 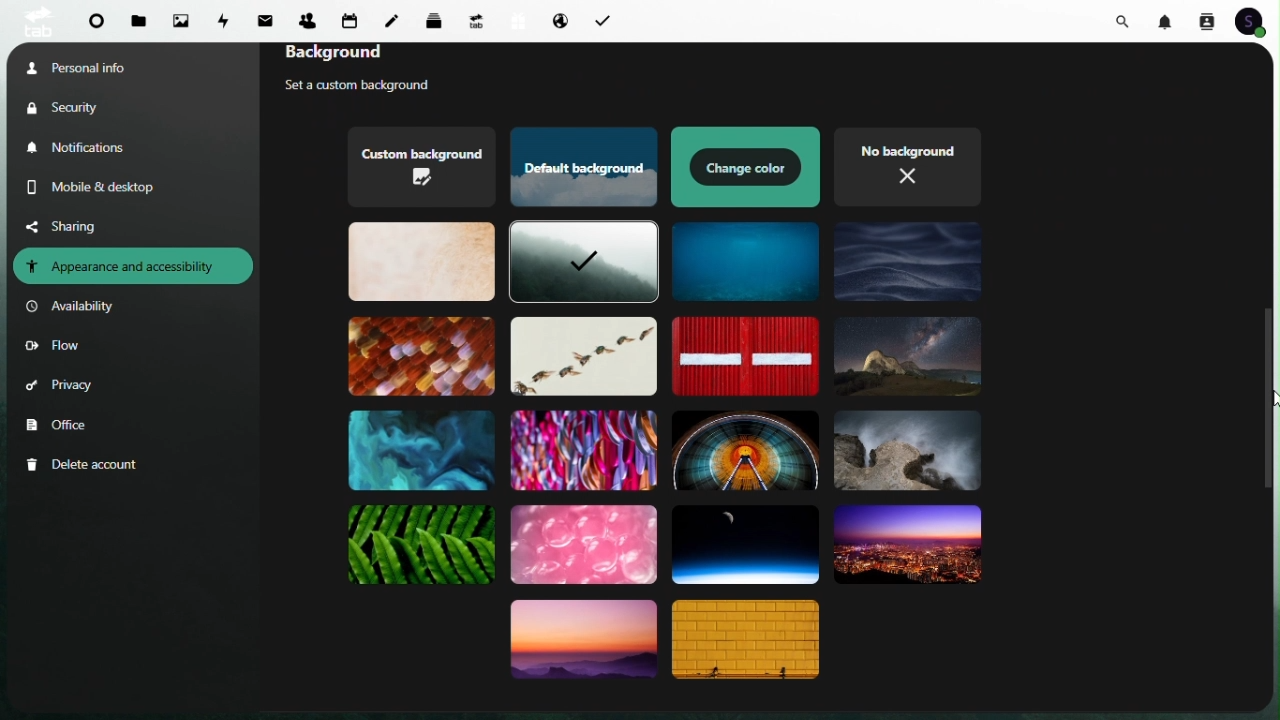 I want to click on Themes, so click(x=747, y=167).